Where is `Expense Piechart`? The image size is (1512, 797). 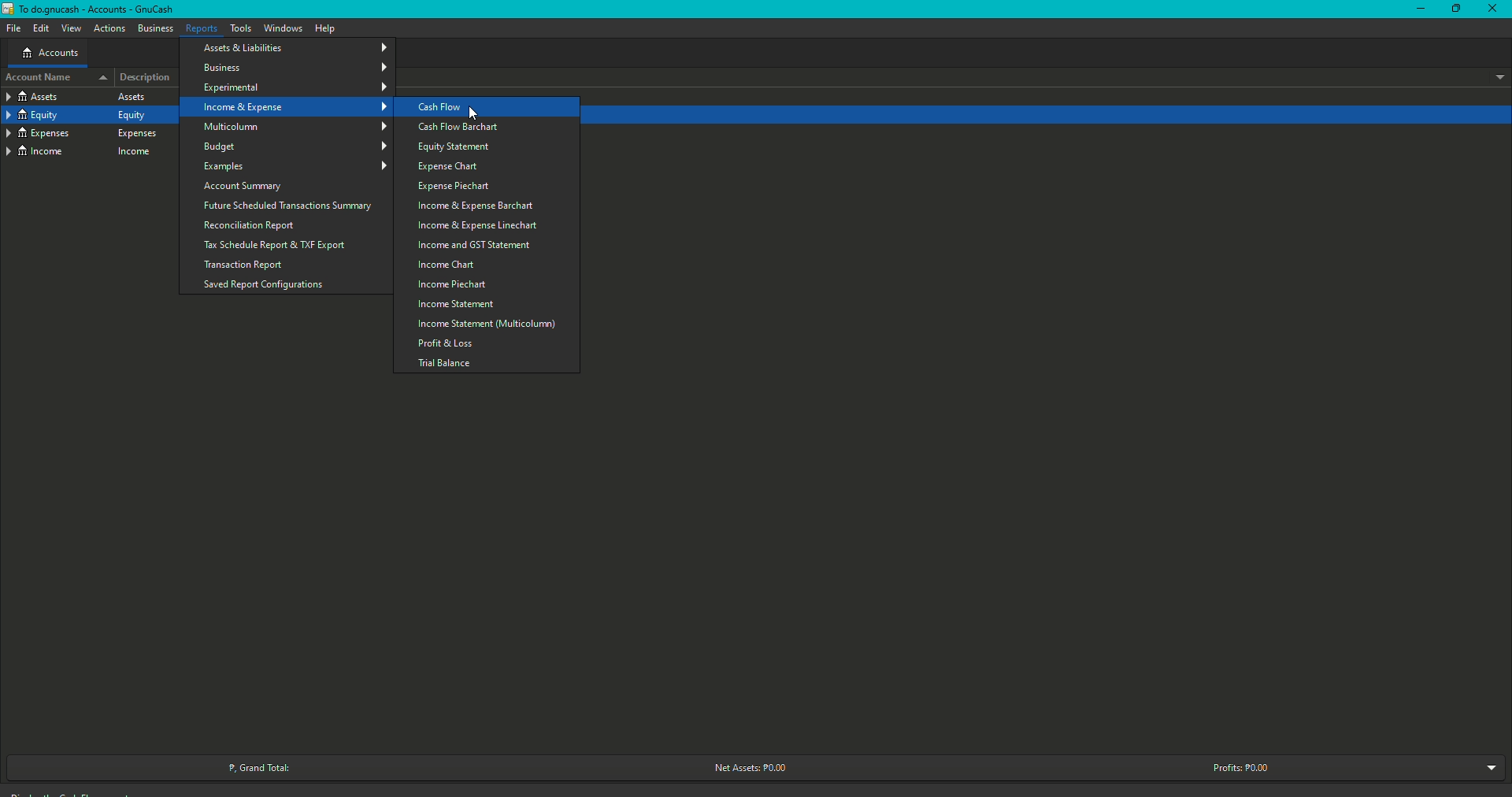 Expense Piechart is located at coordinates (455, 187).